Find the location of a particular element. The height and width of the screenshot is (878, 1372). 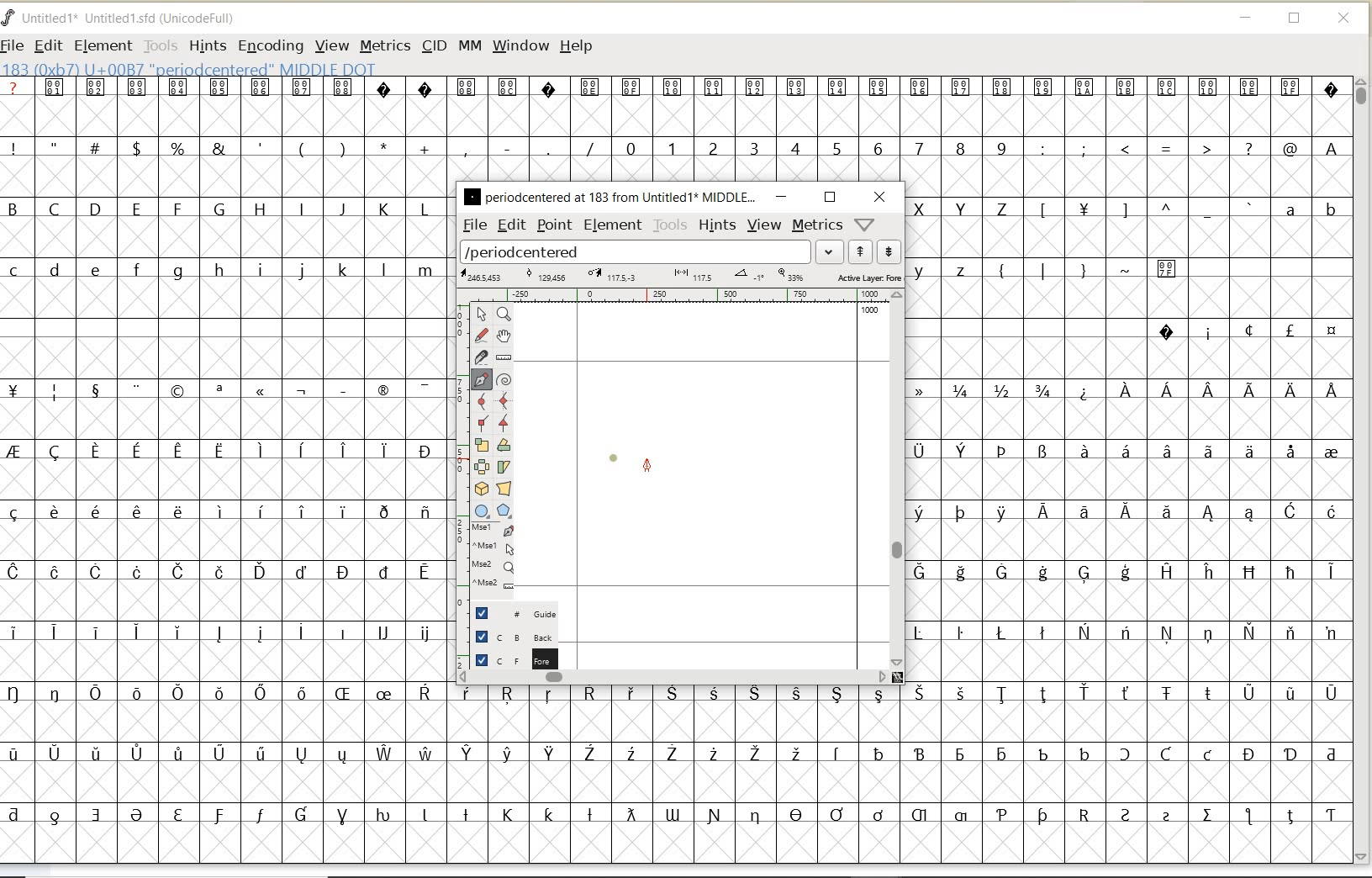

draw a freehand curve is located at coordinates (481, 333).